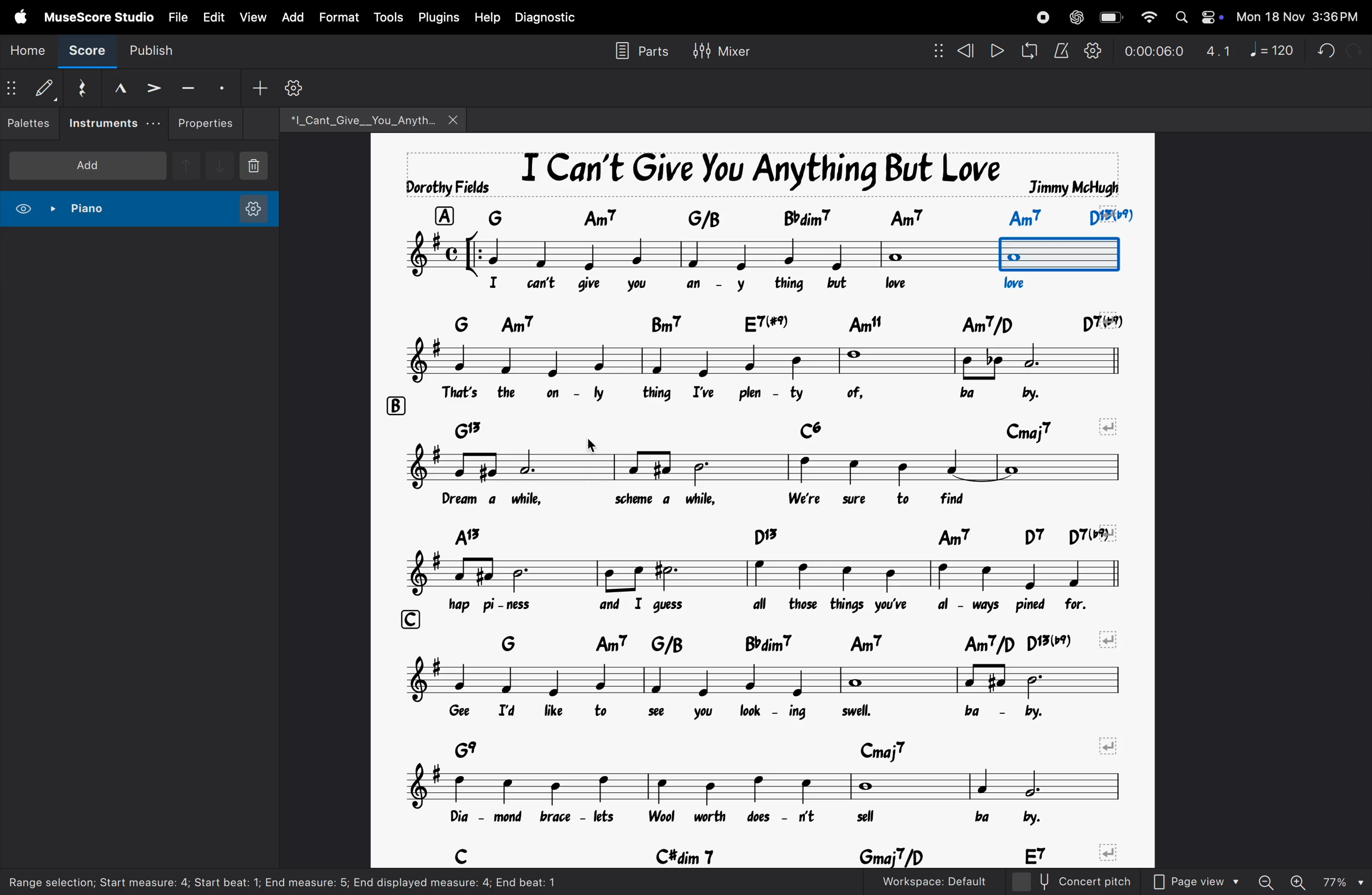  Describe the element at coordinates (786, 749) in the screenshot. I see `chord symbols` at that location.